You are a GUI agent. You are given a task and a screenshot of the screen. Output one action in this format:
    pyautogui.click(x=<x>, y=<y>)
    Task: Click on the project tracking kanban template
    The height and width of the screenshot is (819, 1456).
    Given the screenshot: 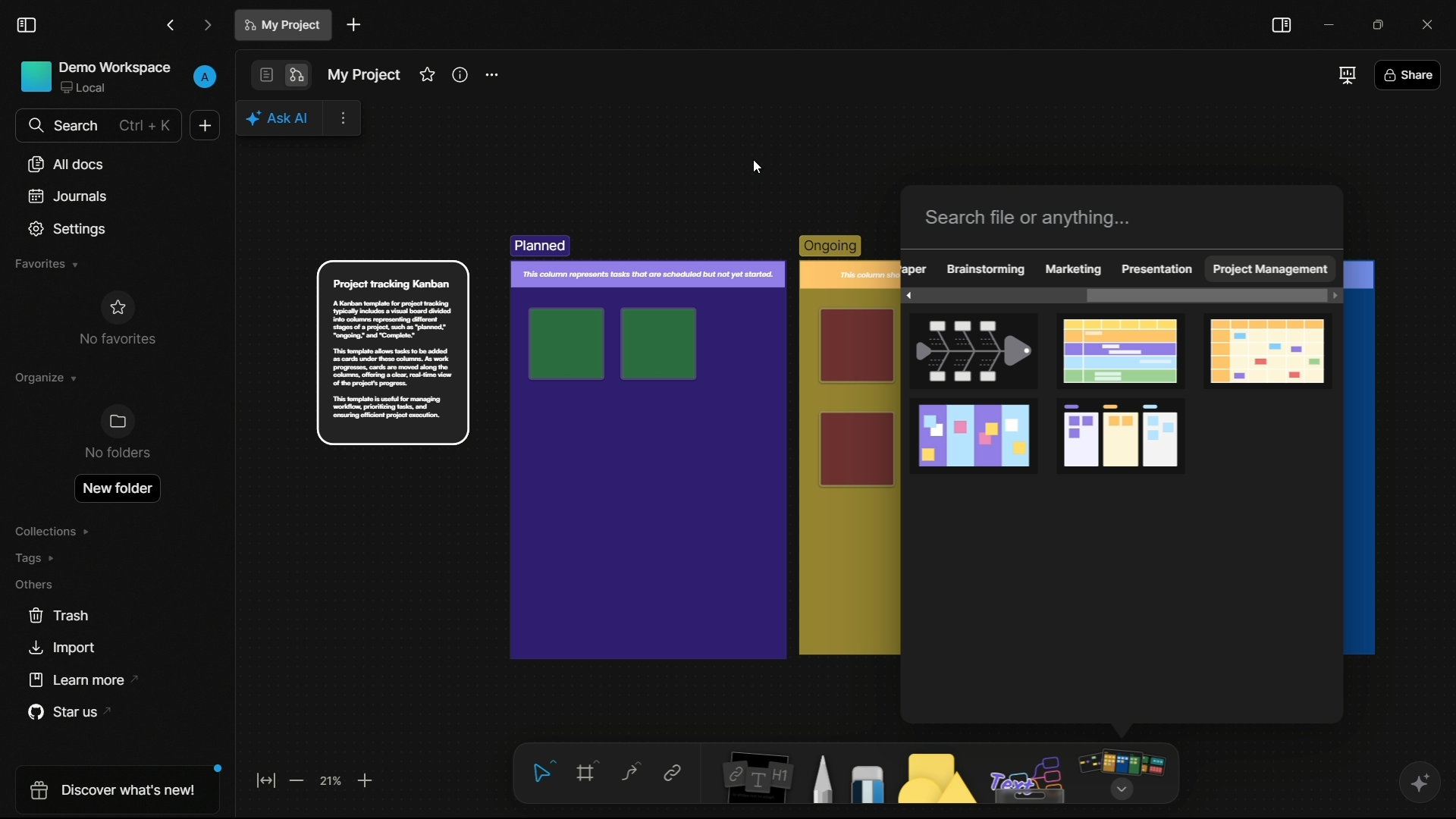 What is the action you would take?
    pyautogui.click(x=1122, y=437)
    